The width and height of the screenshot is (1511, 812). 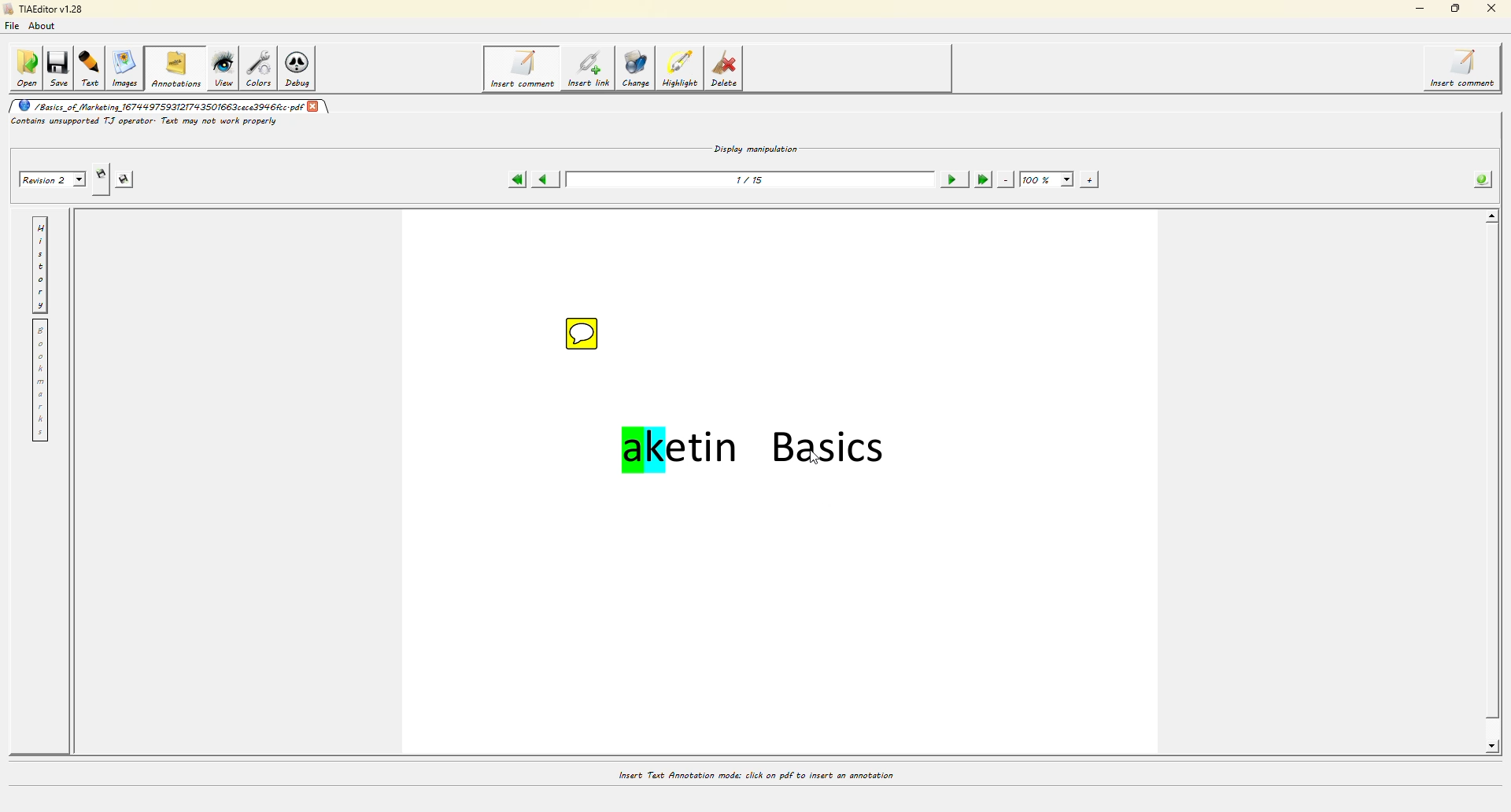 I want to click on first page, so click(x=516, y=179).